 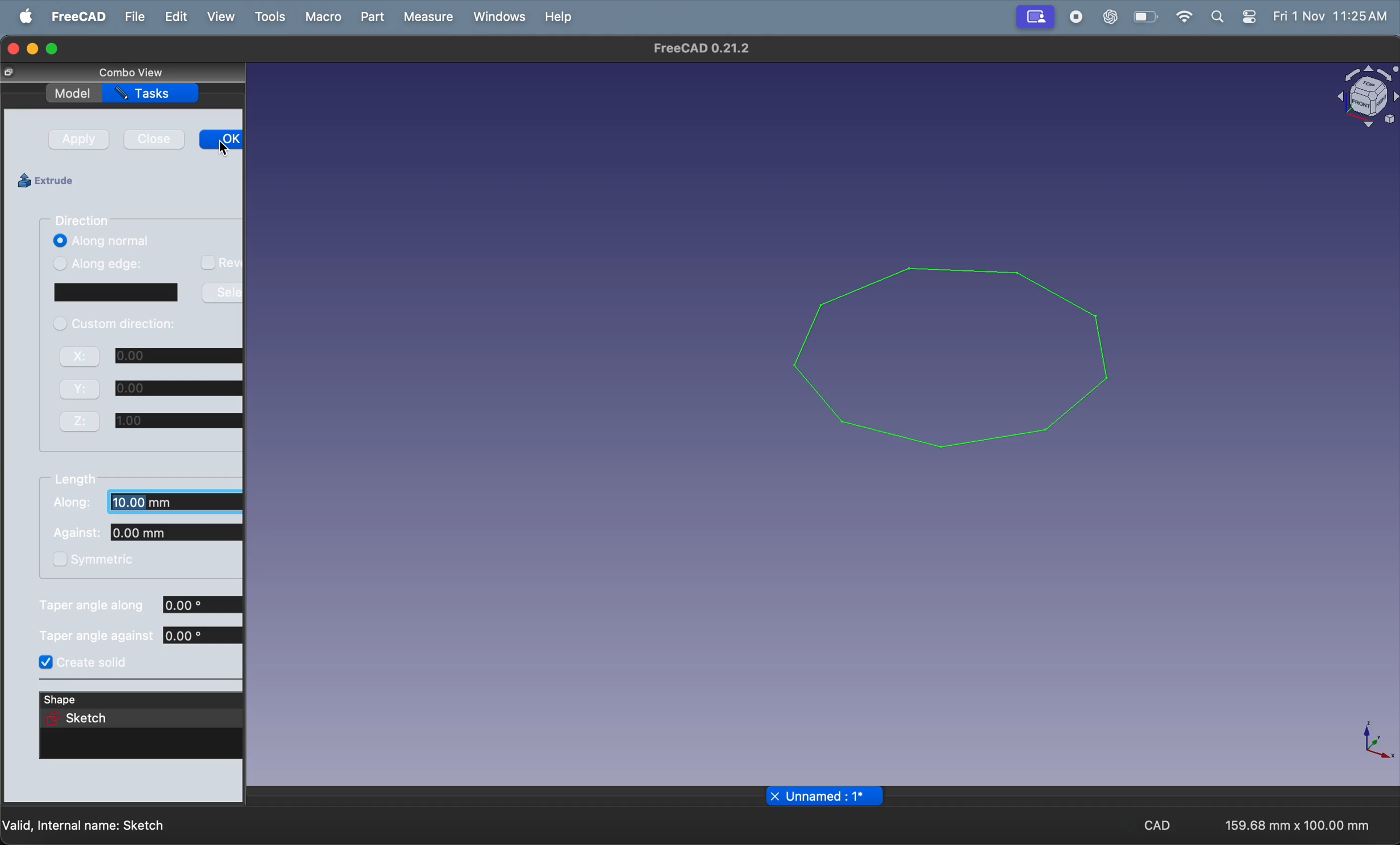 What do you see at coordinates (1331, 17) in the screenshot?
I see `Fri 1 Nov 11:25 AM` at bounding box center [1331, 17].